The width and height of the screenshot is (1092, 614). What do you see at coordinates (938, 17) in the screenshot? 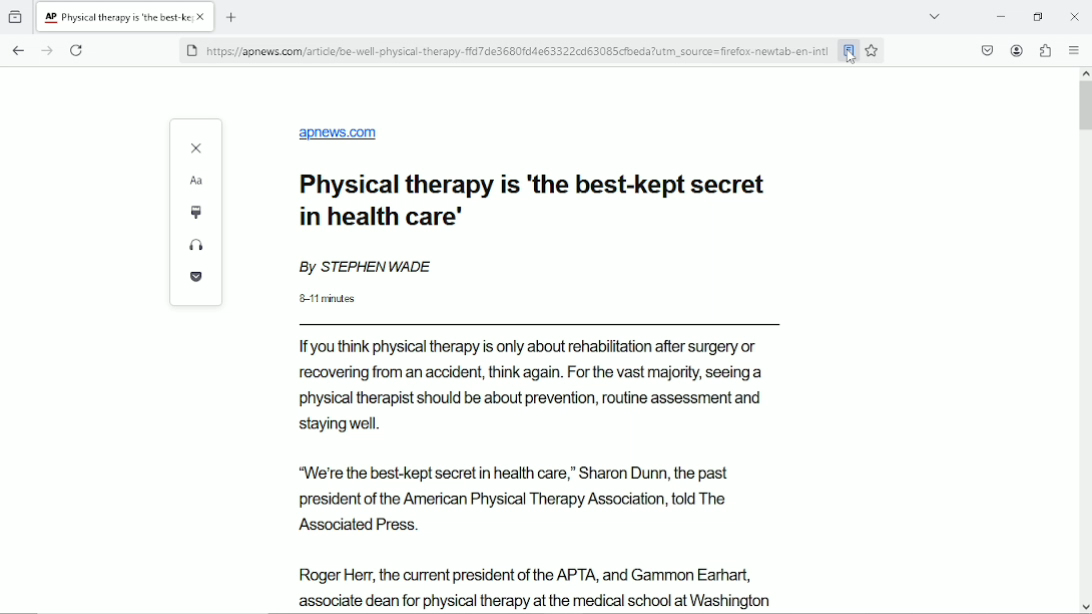
I see `list all tabs` at bounding box center [938, 17].